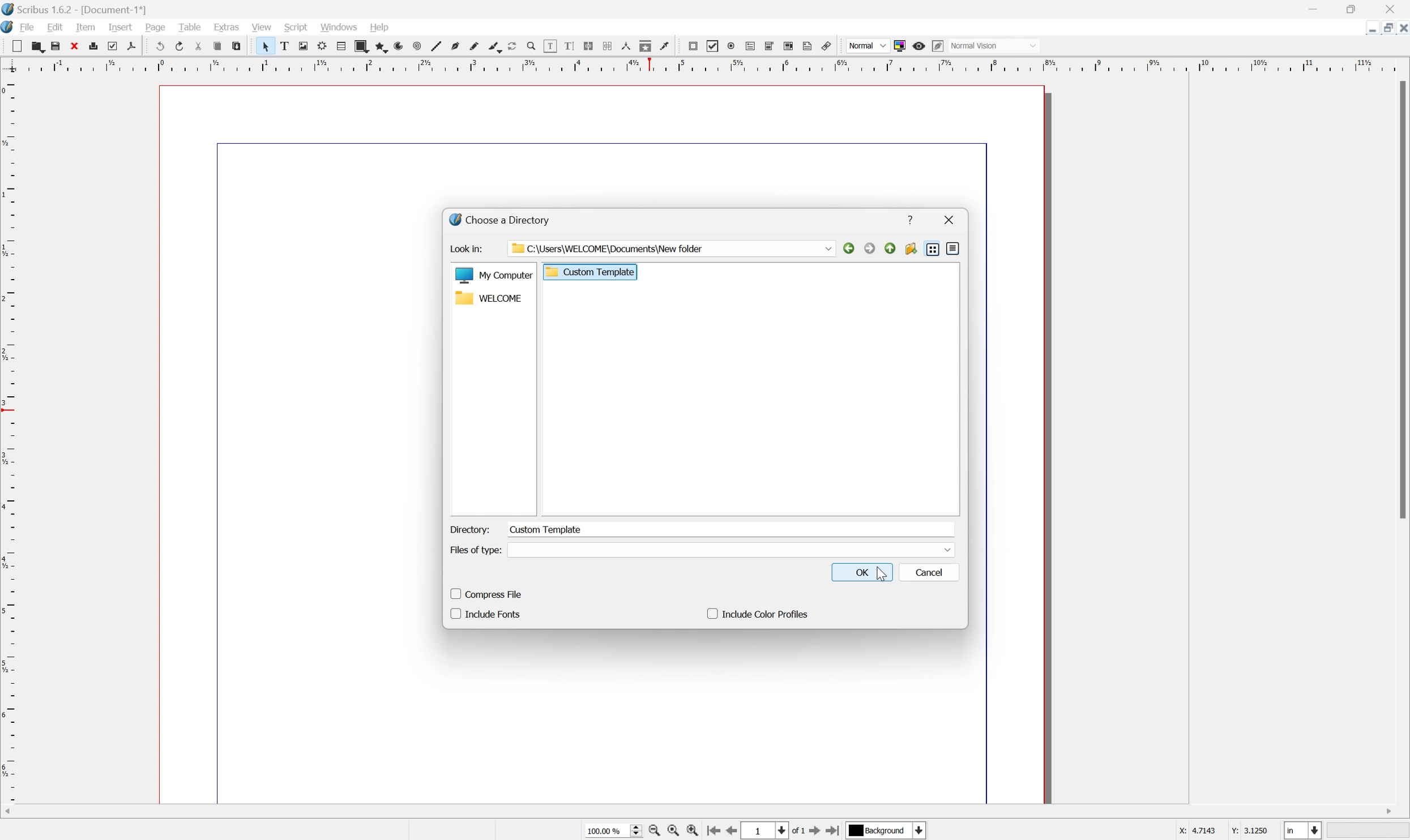 Image resolution: width=1410 pixels, height=840 pixels. What do you see at coordinates (694, 831) in the screenshot?
I see `Zoom in` at bounding box center [694, 831].